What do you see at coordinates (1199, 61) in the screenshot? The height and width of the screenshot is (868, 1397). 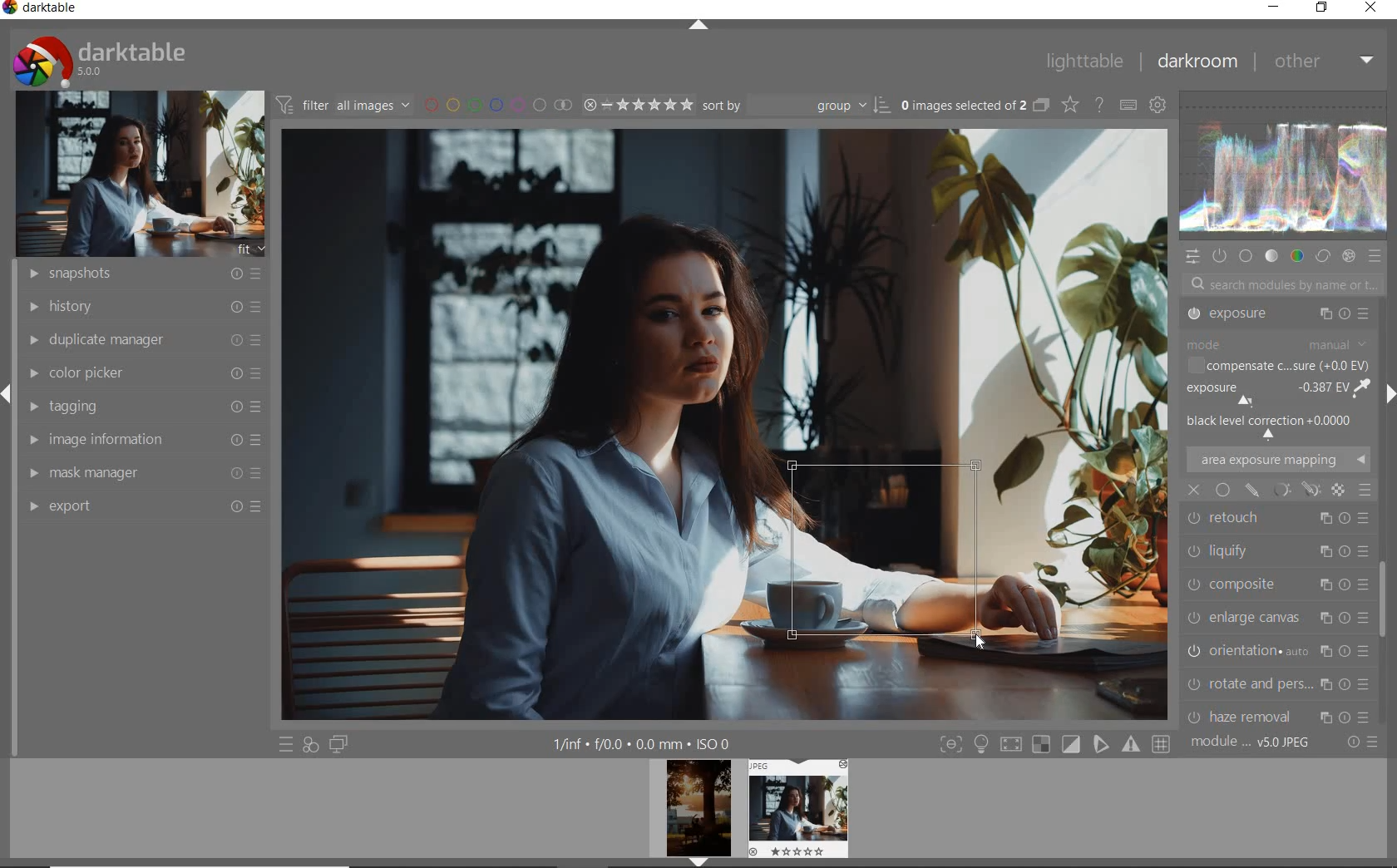 I see `DARKROOM` at bounding box center [1199, 61].